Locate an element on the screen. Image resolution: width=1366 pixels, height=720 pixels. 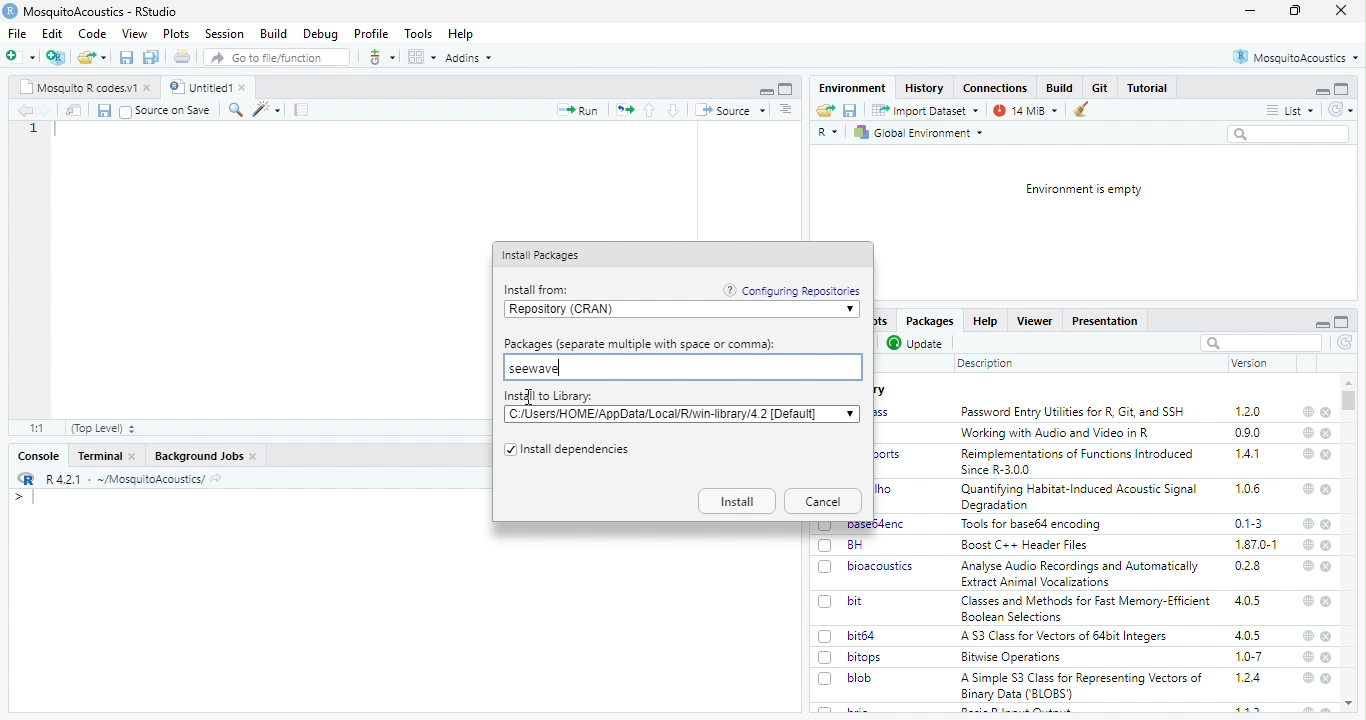
more is located at coordinates (787, 110).